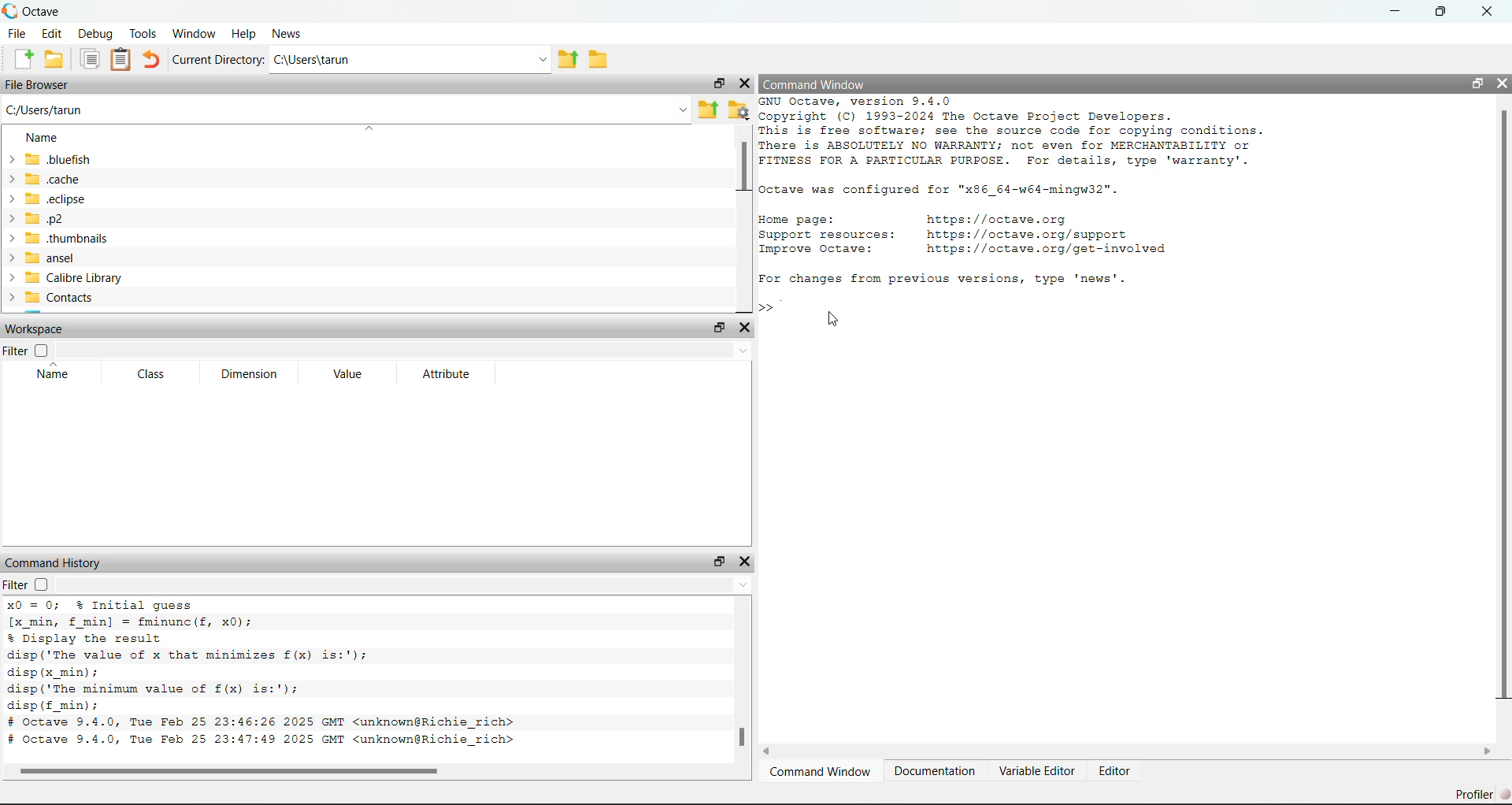  What do you see at coordinates (153, 58) in the screenshot?
I see `Redo` at bounding box center [153, 58].